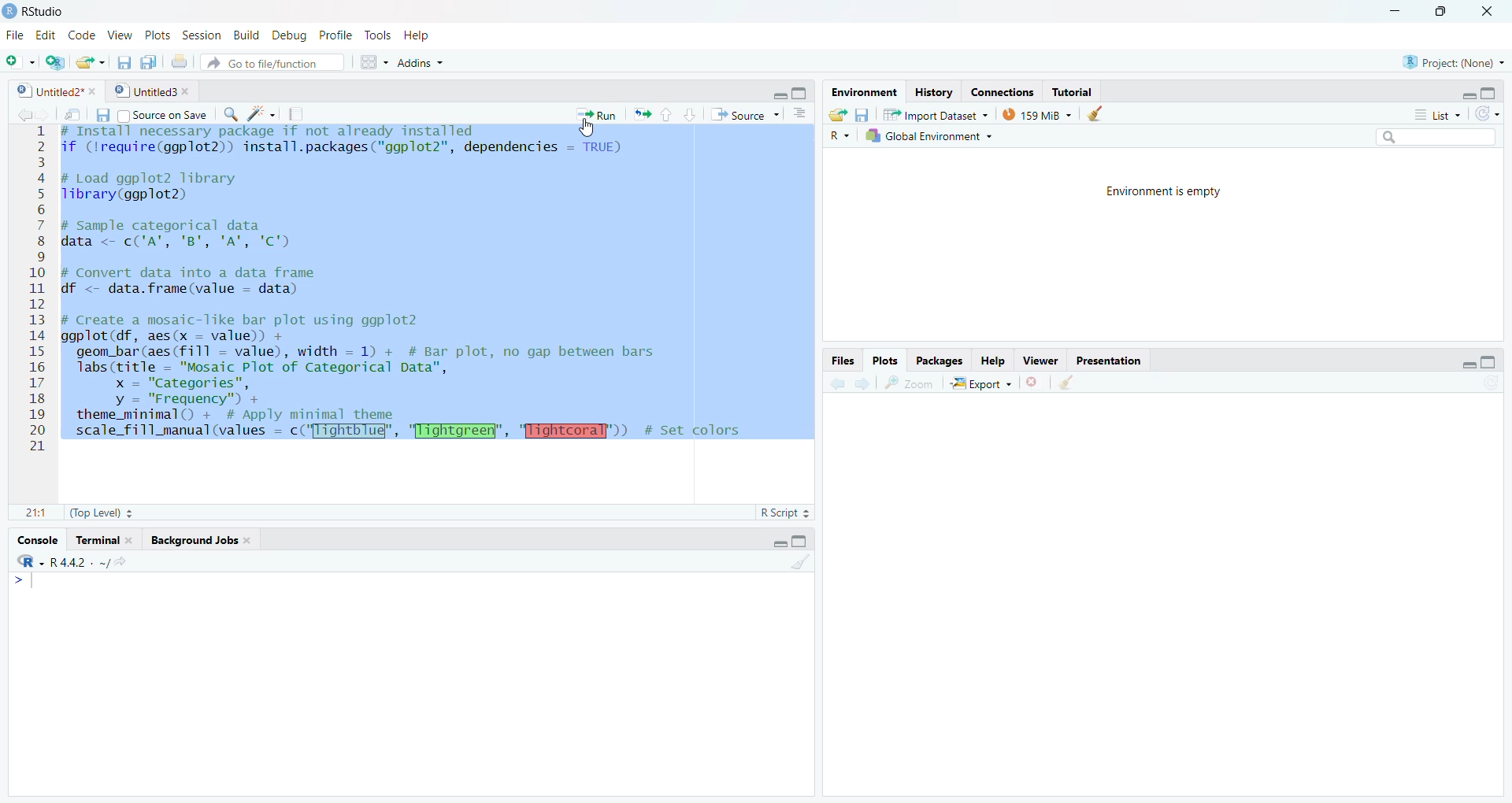  I want to click on Refresh, so click(1488, 114).